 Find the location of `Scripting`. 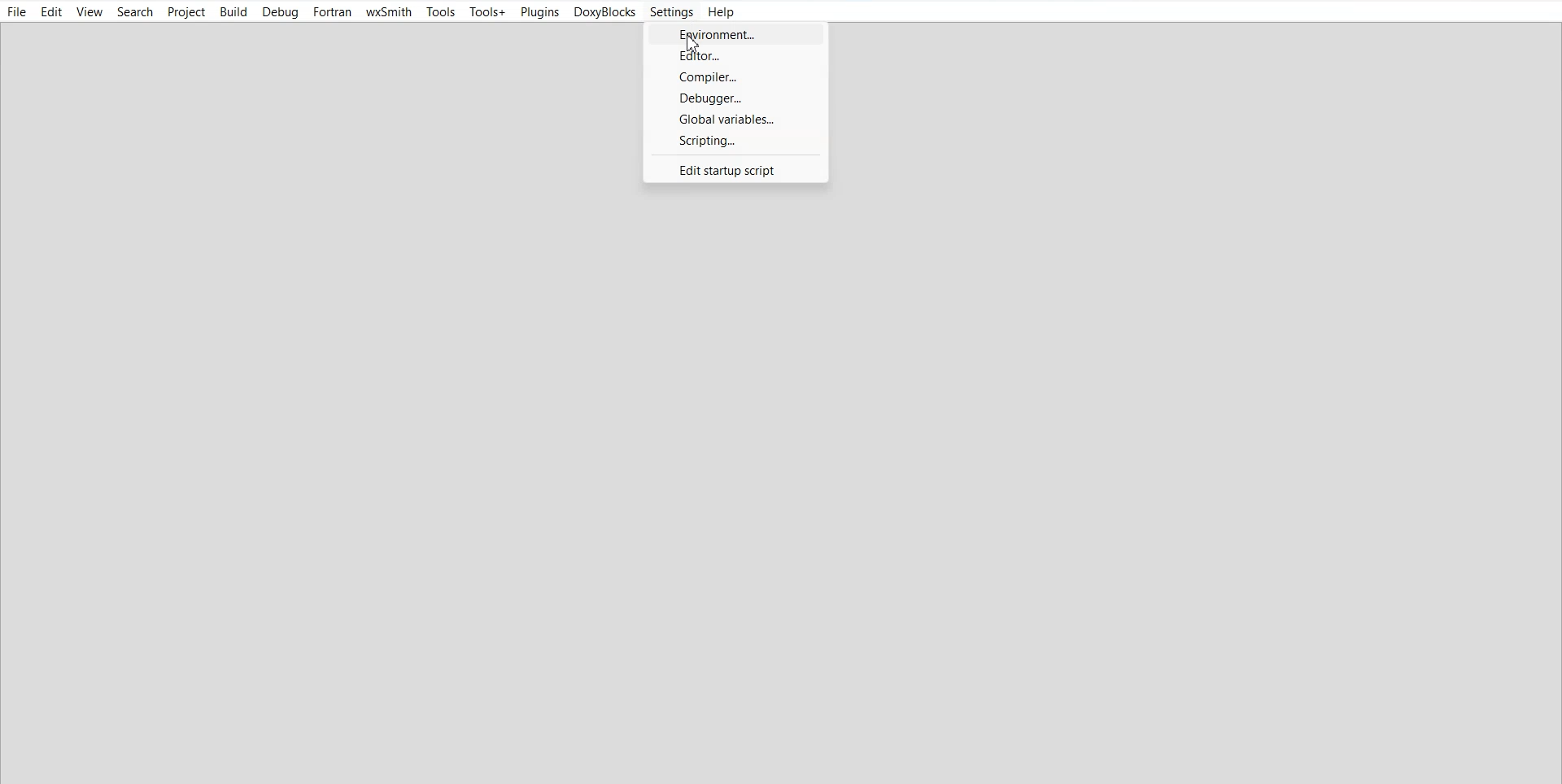

Scripting is located at coordinates (736, 141).